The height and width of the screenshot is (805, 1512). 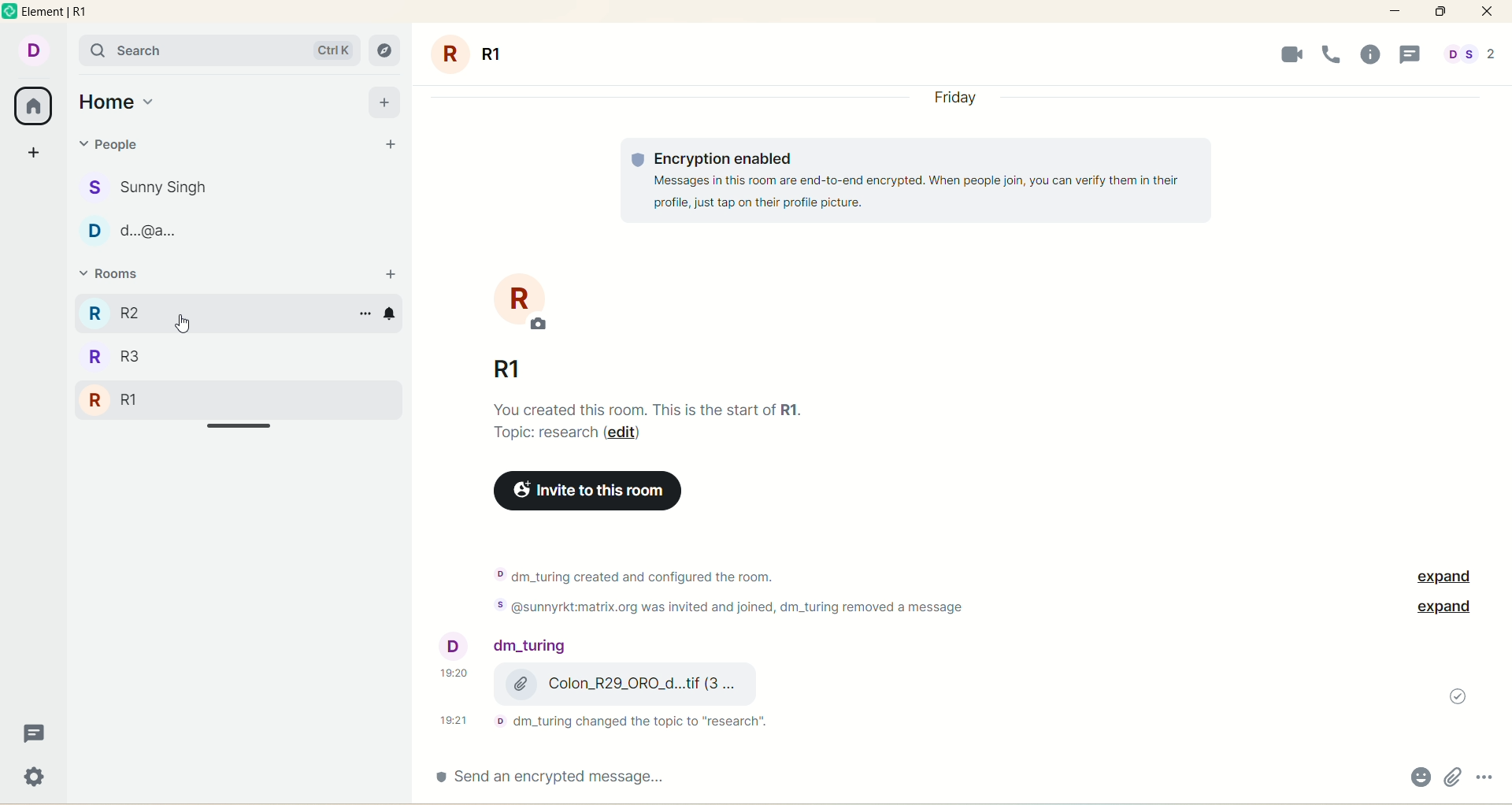 What do you see at coordinates (36, 149) in the screenshot?
I see `create a space` at bounding box center [36, 149].